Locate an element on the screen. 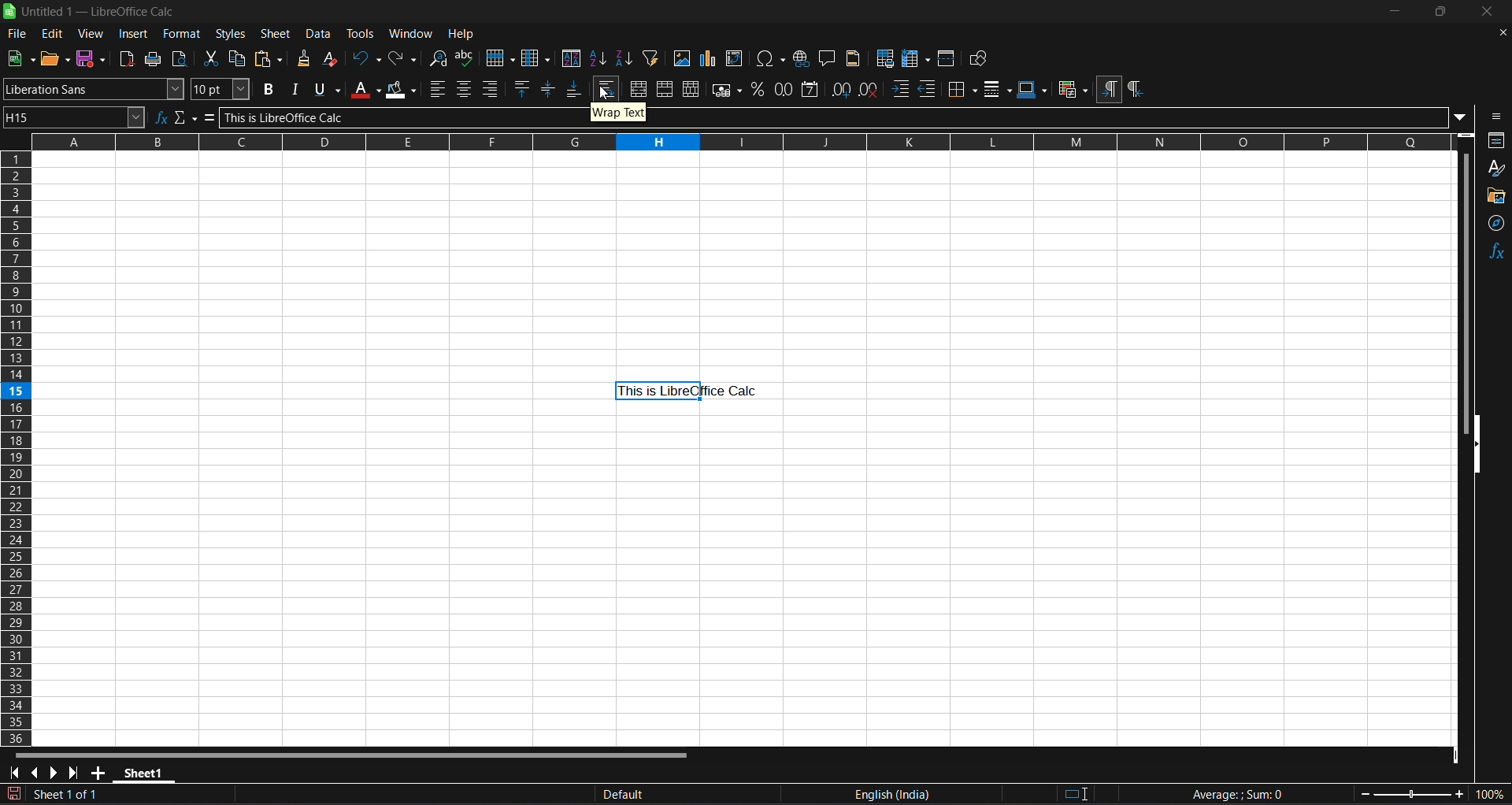 The height and width of the screenshot is (805, 1512). format is located at coordinates (183, 33).